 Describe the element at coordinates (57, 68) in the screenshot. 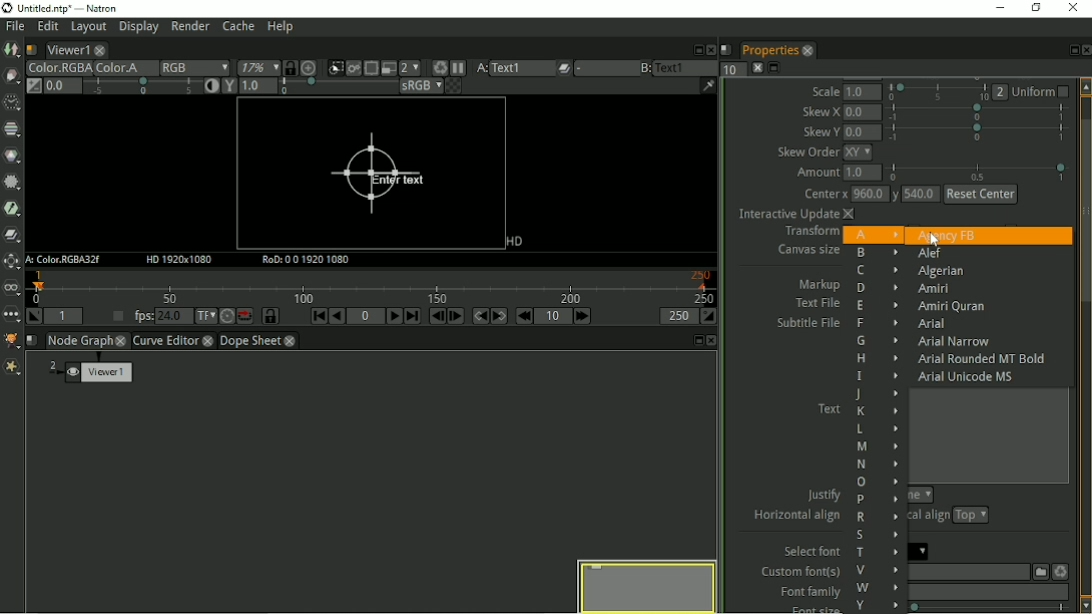

I see `Color.RGBA` at that location.